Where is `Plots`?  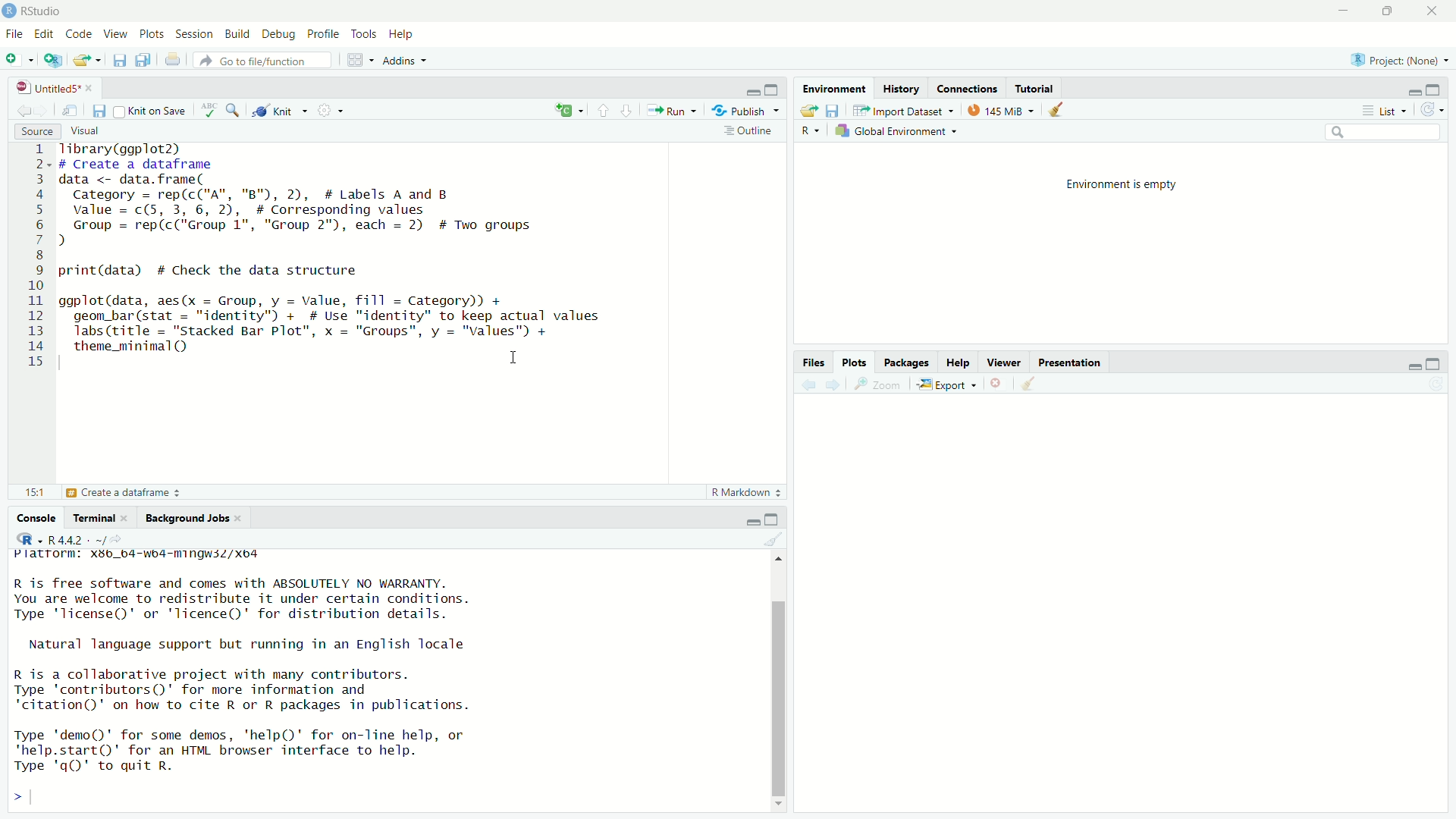
Plots is located at coordinates (856, 362).